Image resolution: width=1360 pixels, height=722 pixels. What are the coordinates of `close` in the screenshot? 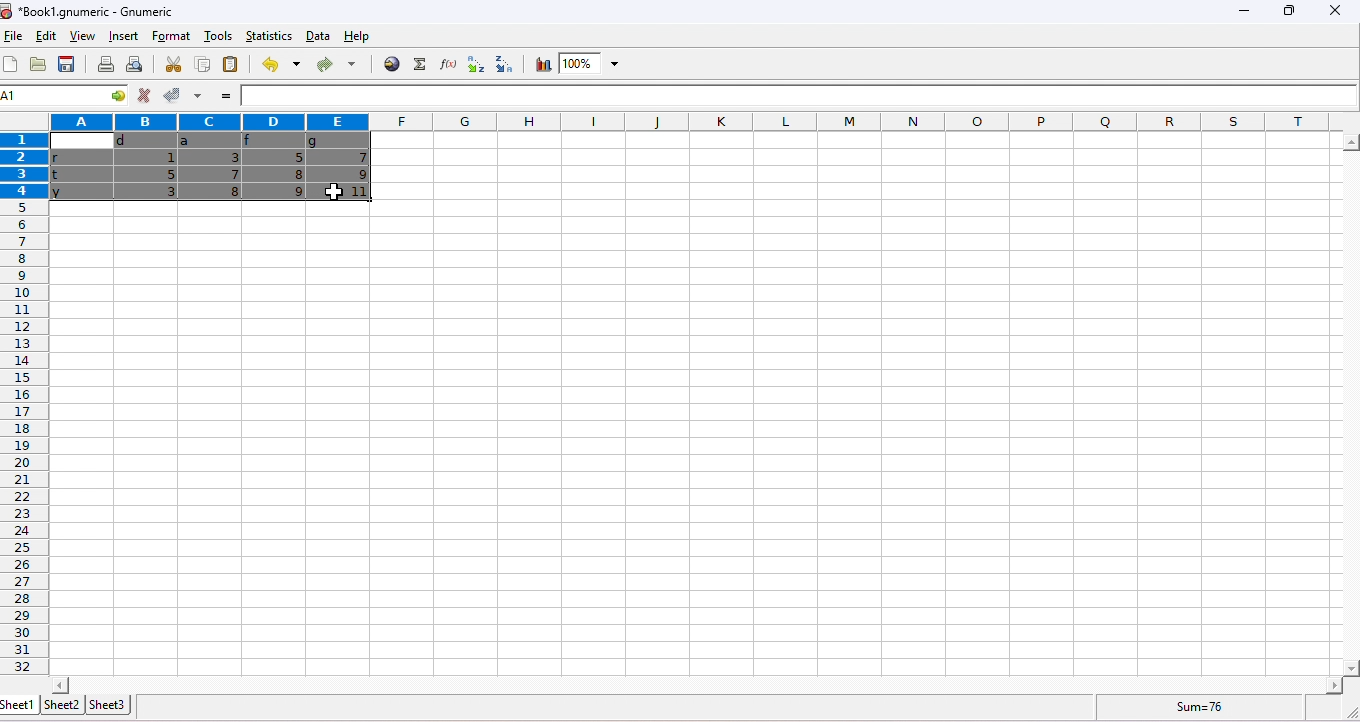 It's located at (1334, 11).